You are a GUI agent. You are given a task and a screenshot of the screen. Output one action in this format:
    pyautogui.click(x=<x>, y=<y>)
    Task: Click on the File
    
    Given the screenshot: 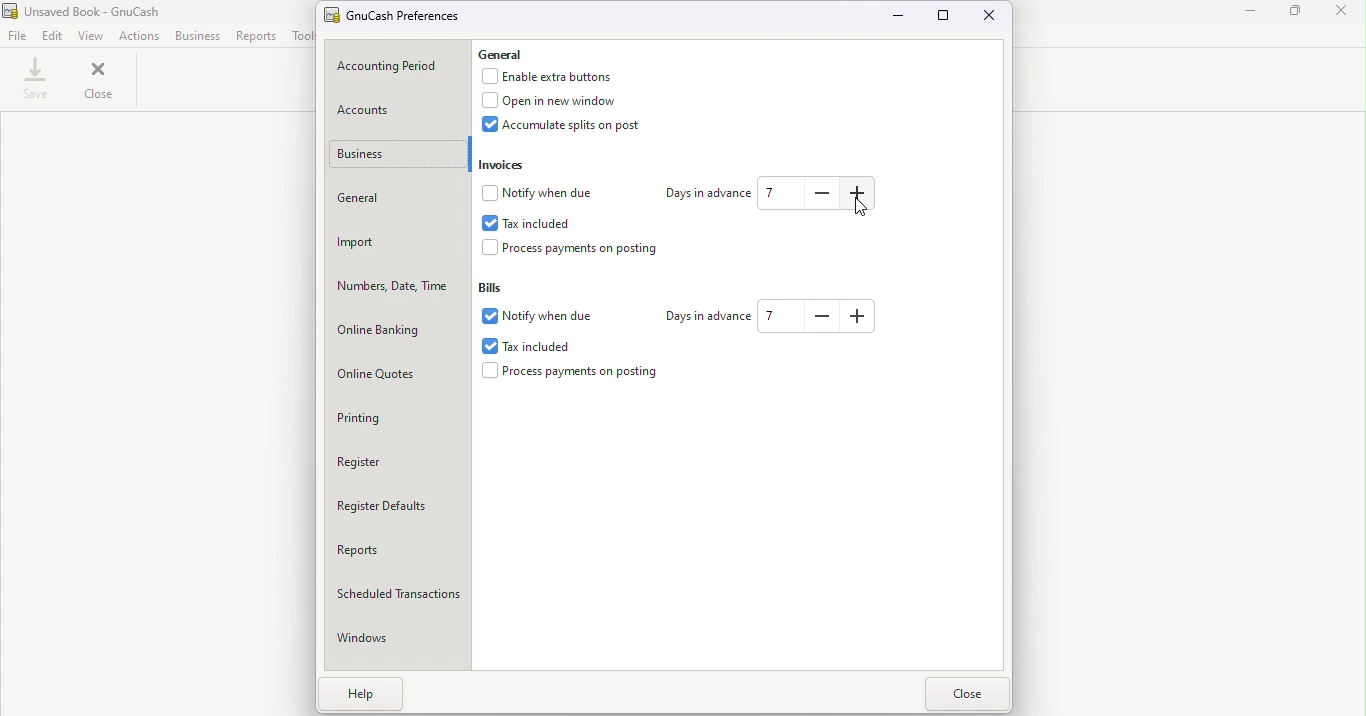 What is the action you would take?
    pyautogui.click(x=17, y=36)
    